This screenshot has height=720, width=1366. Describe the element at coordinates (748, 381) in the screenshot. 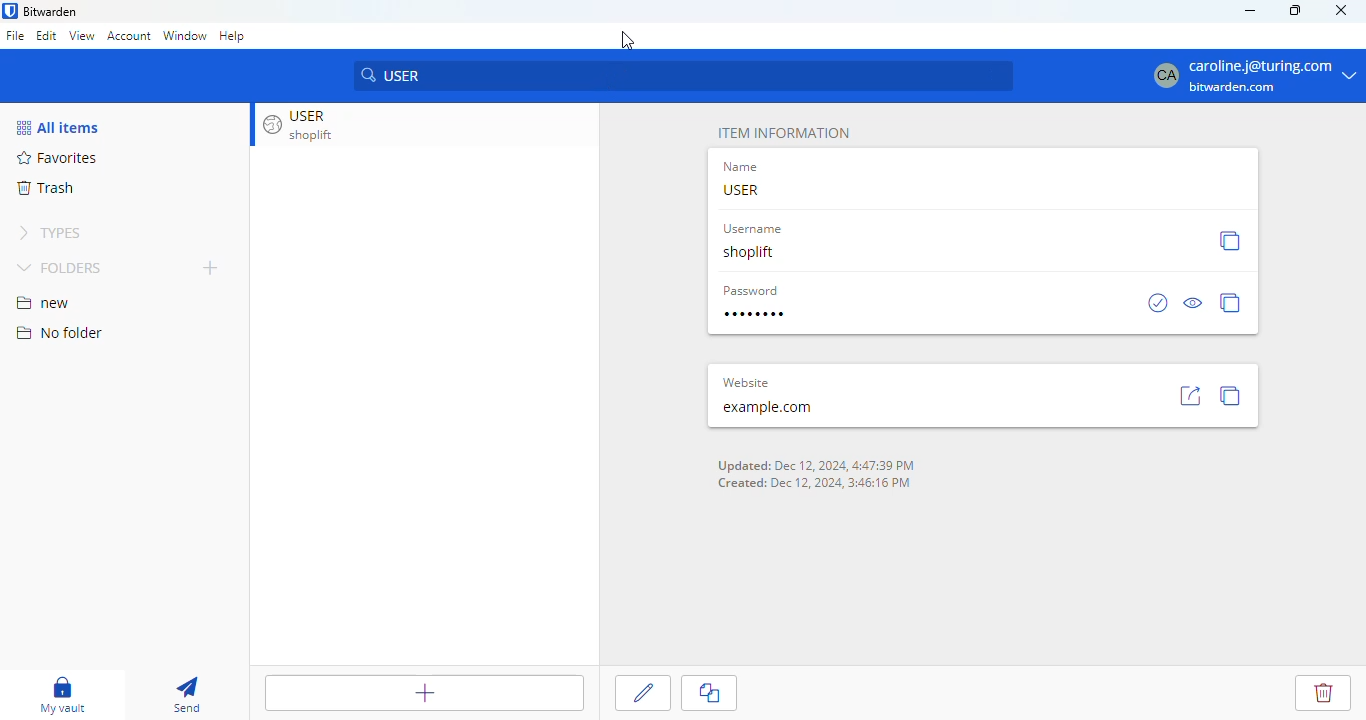

I see `Website` at that location.